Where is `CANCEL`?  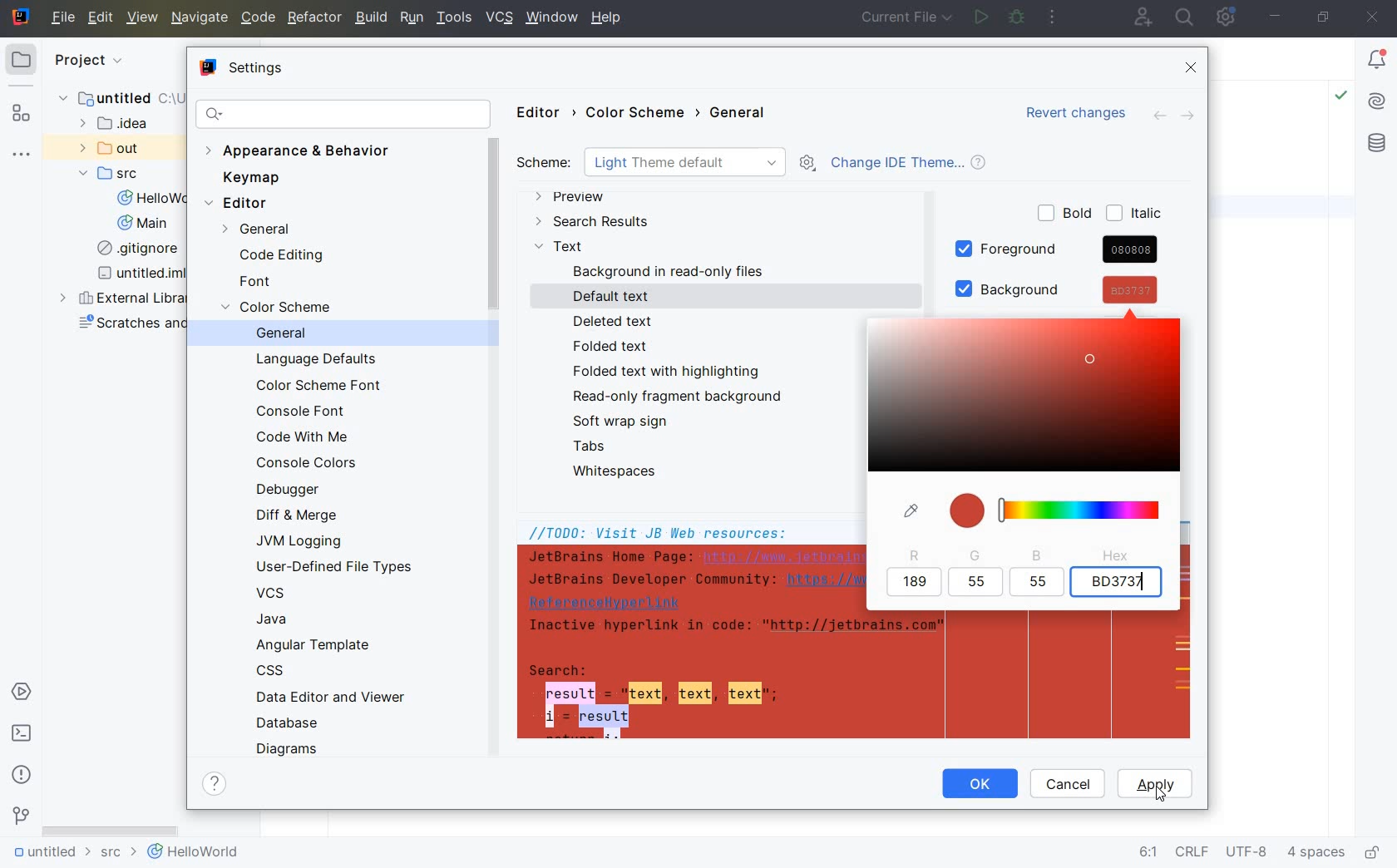
CANCEL is located at coordinates (1069, 784).